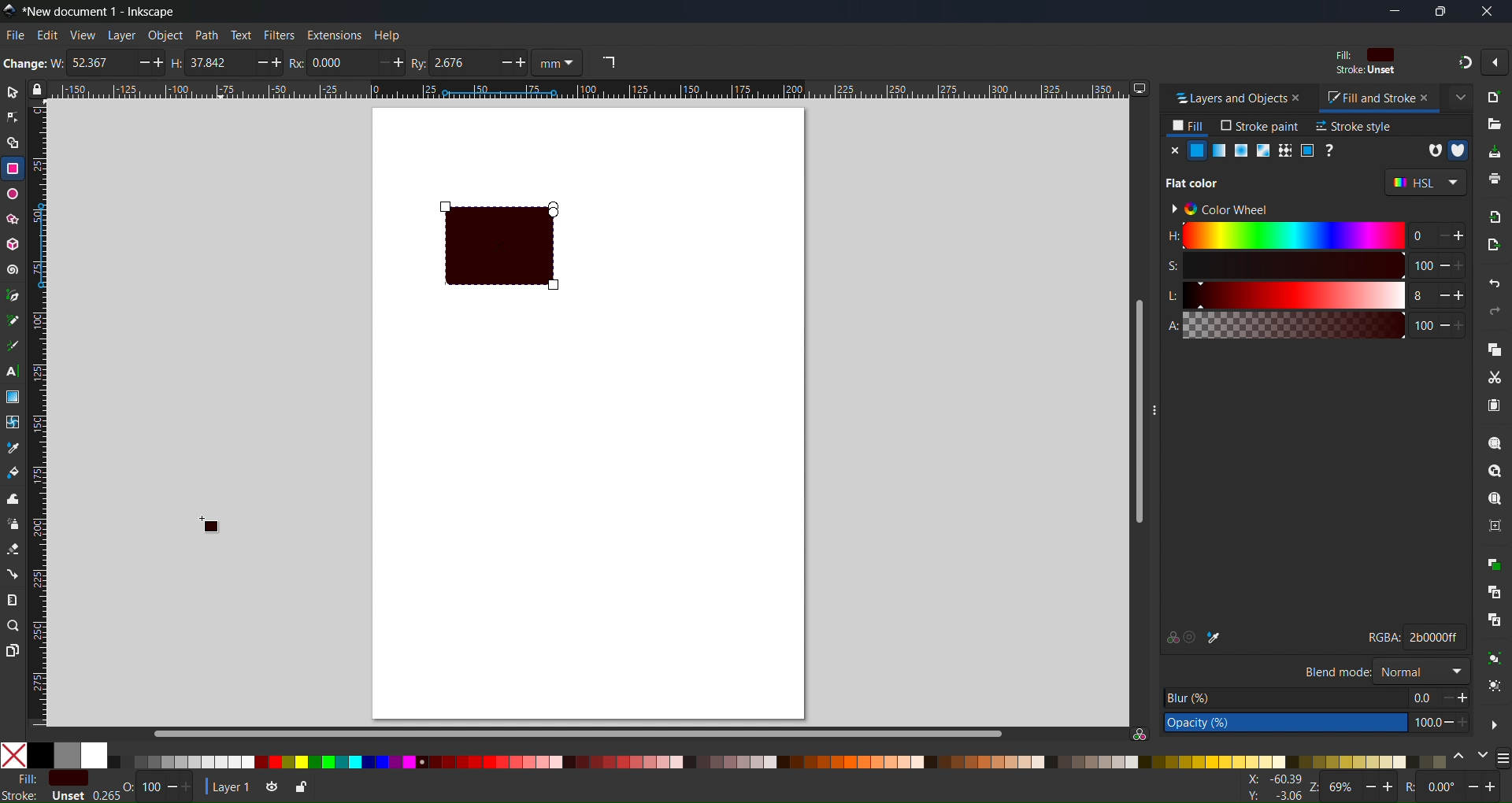 The height and width of the screenshot is (803, 1512). What do you see at coordinates (42, 416) in the screenshot?
I see `Vertical Millimeter scale ` at bounding box center [42, 416].